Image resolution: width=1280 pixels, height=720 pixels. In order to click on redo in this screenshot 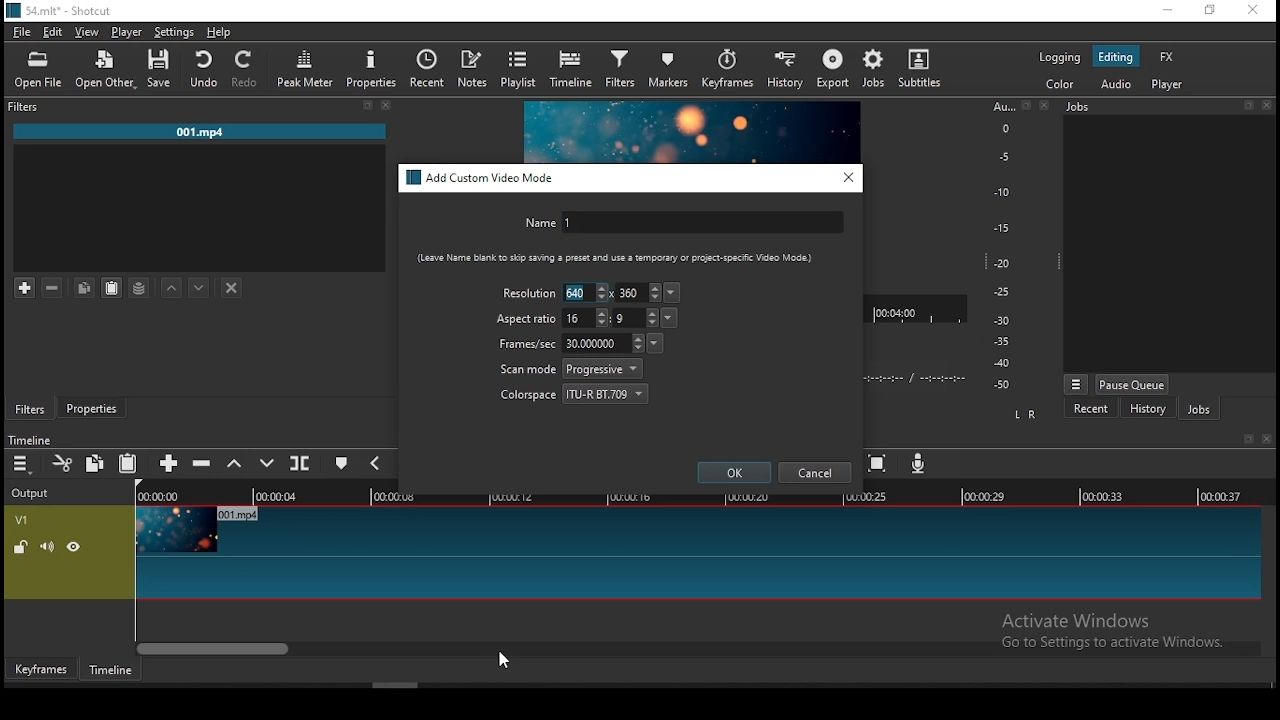, I will do `click(247, 69)`.